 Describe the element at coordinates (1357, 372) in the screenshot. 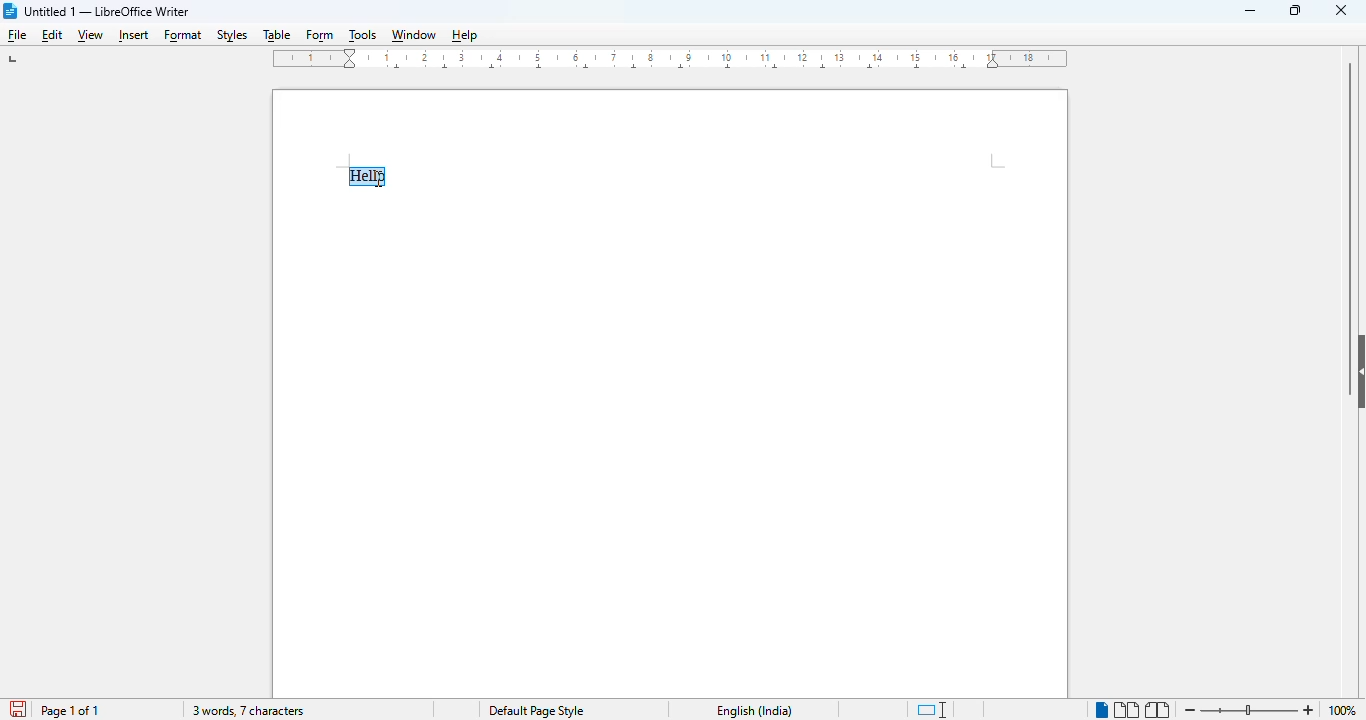

I see `show` at that location.